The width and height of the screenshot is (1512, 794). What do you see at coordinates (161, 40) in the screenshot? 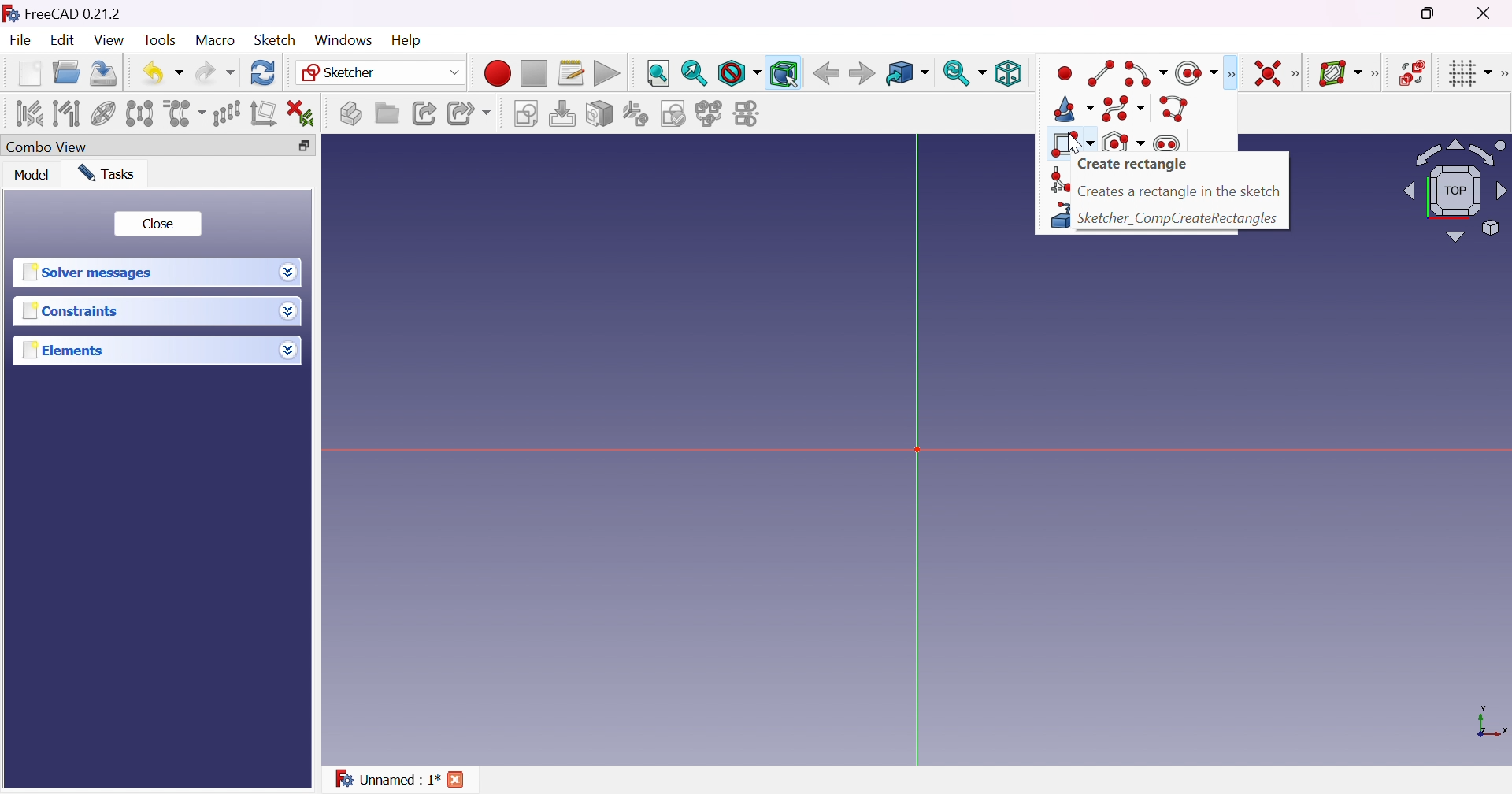
I see `Tools` at bounding box center [161, 40].